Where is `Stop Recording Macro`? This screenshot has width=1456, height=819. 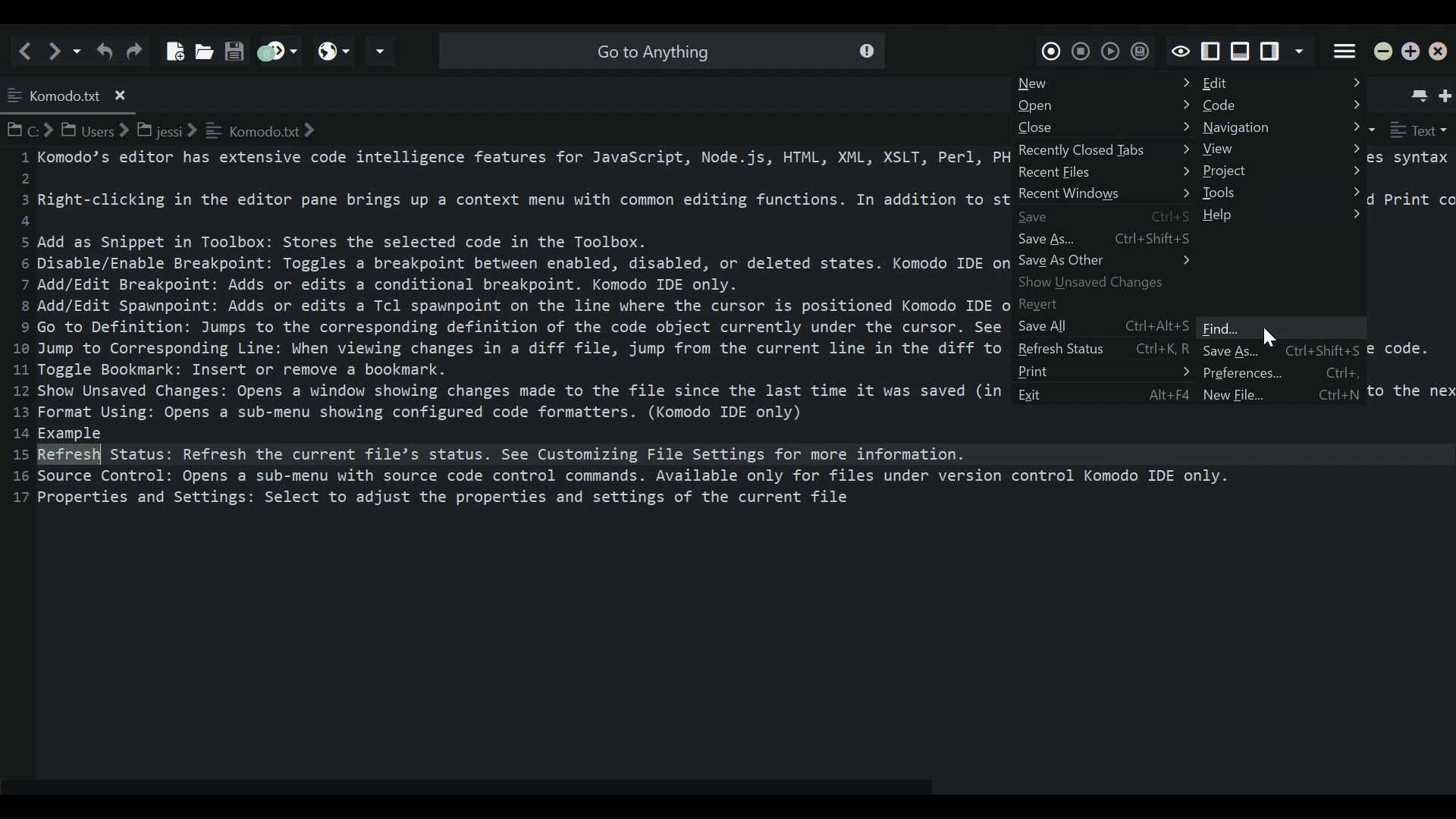
Stop Recording Macro is located at coordinates (1081, 49).